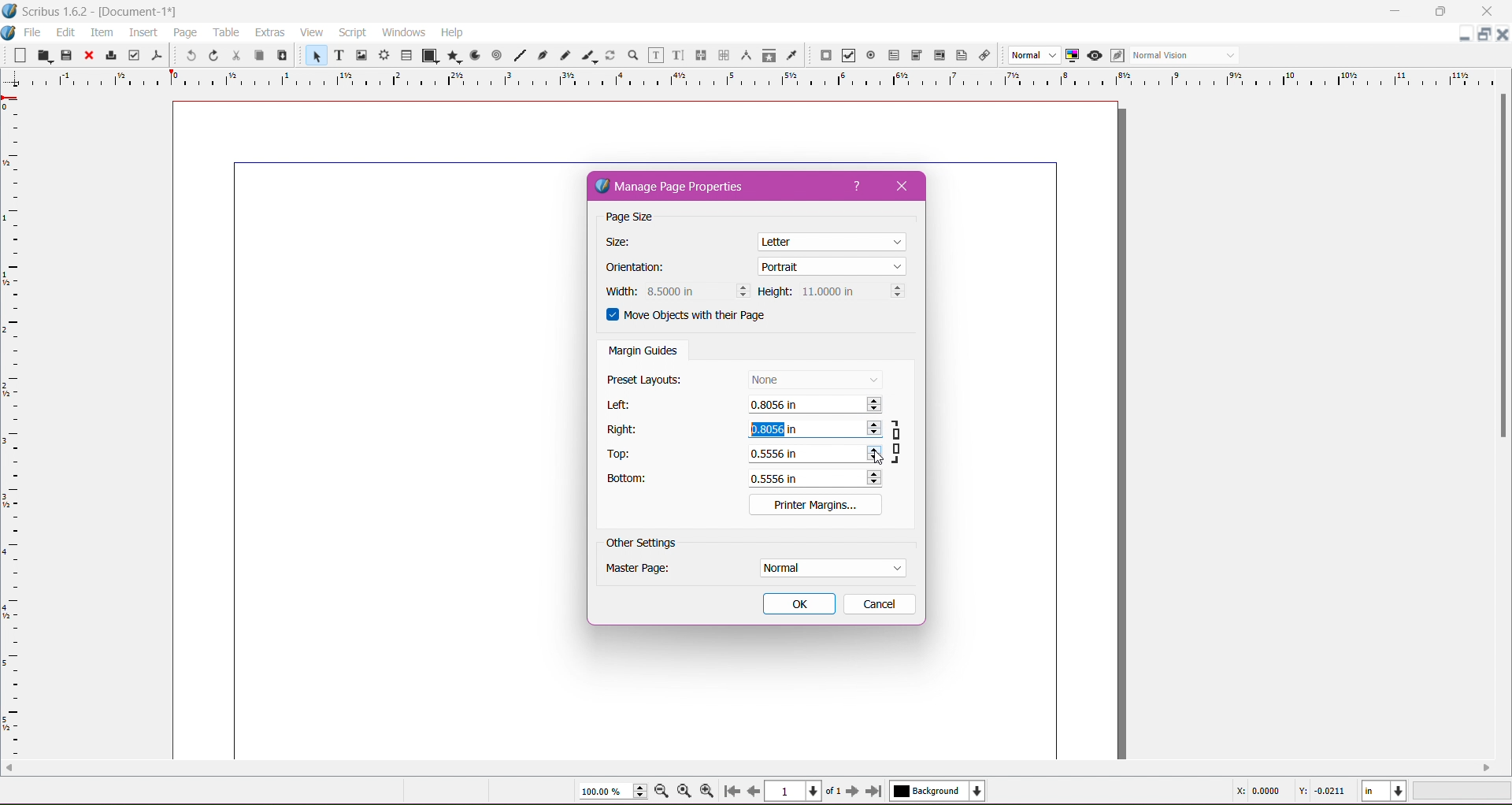 The height and width of the screenshot is (805, 1512). What do you see at coordinates (624, 429) in the screenshot?
I see `Right` at bounding box center [624, 429].